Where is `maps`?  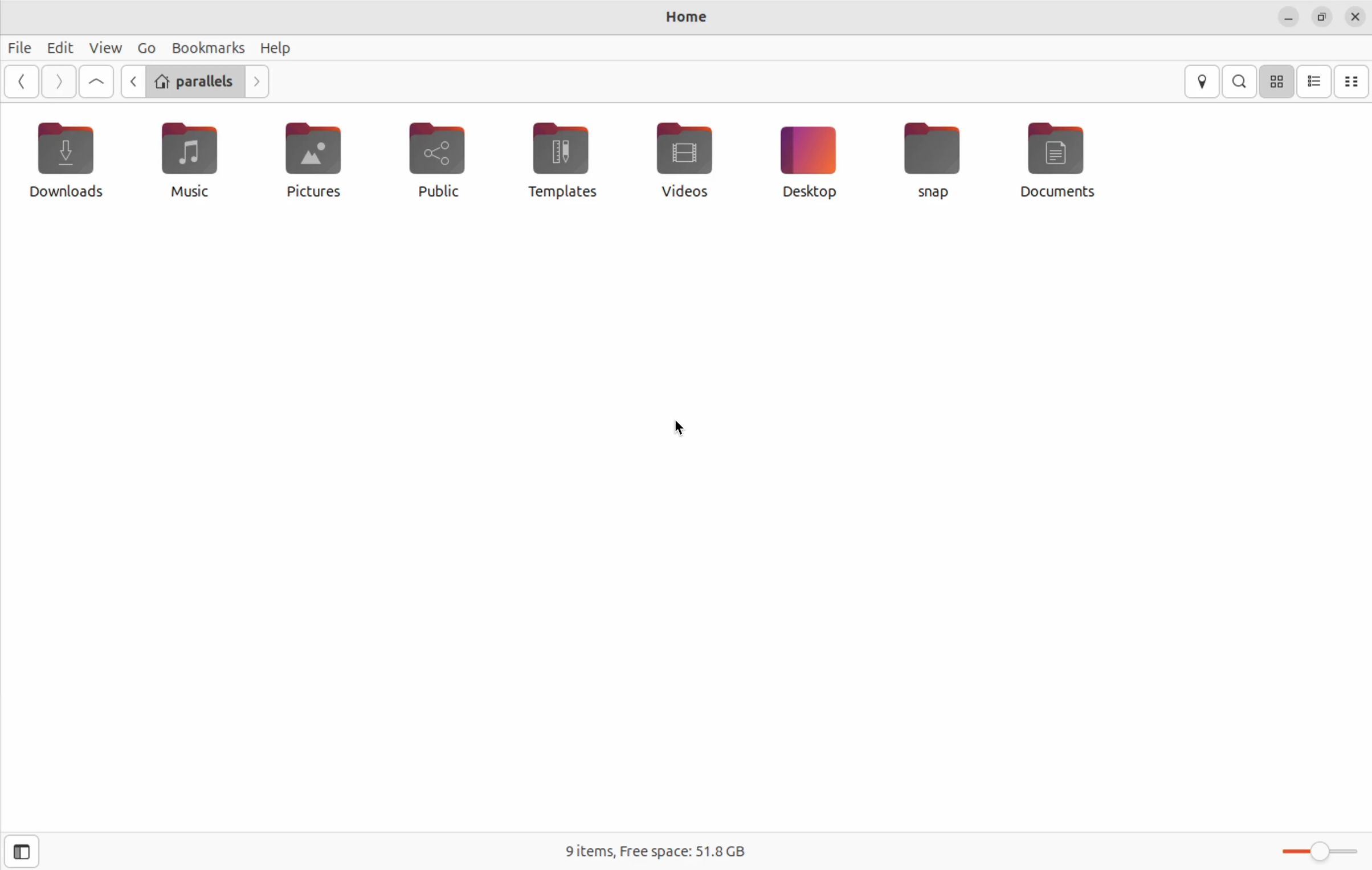 maps is located at coordinates (1203, 81).